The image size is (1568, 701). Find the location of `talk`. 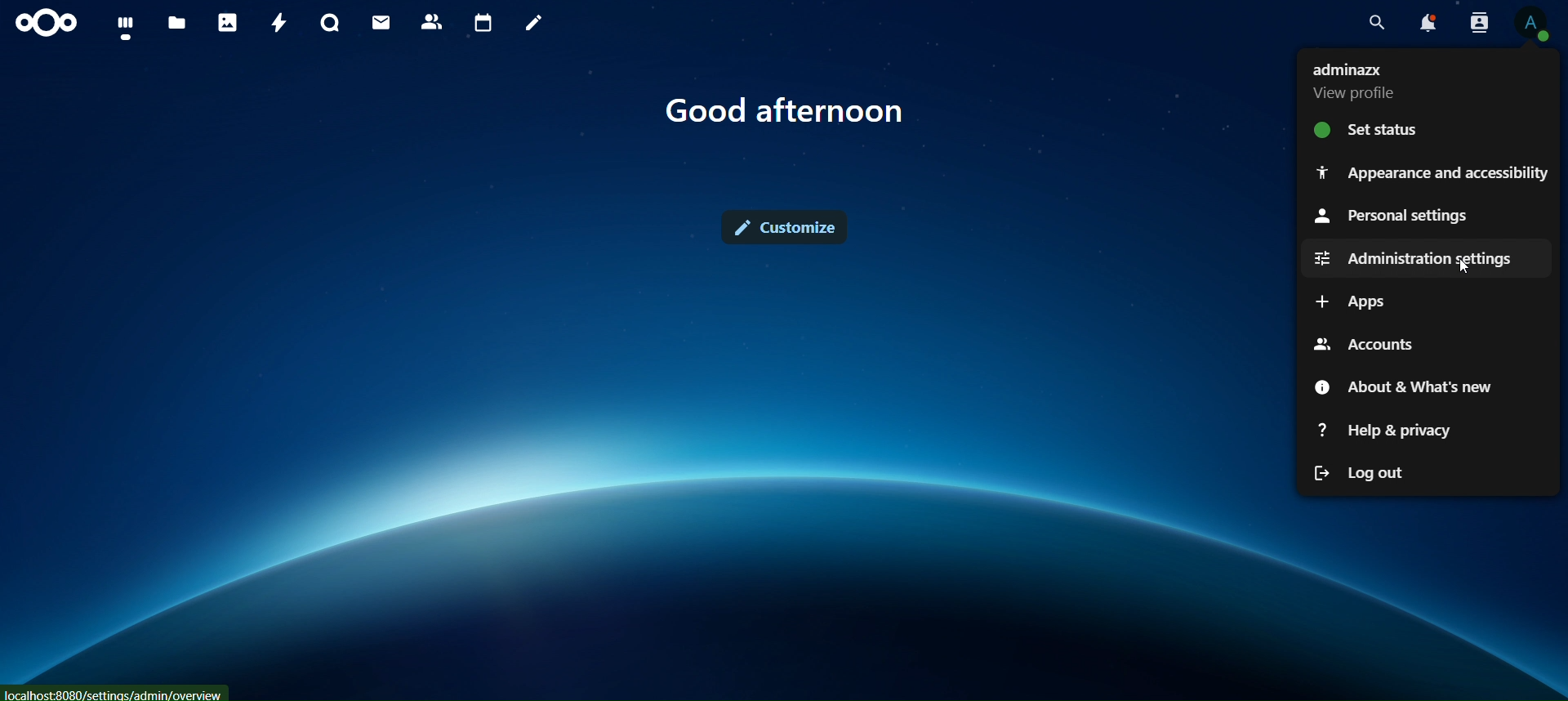

talk is located at coordinates (332, 23).